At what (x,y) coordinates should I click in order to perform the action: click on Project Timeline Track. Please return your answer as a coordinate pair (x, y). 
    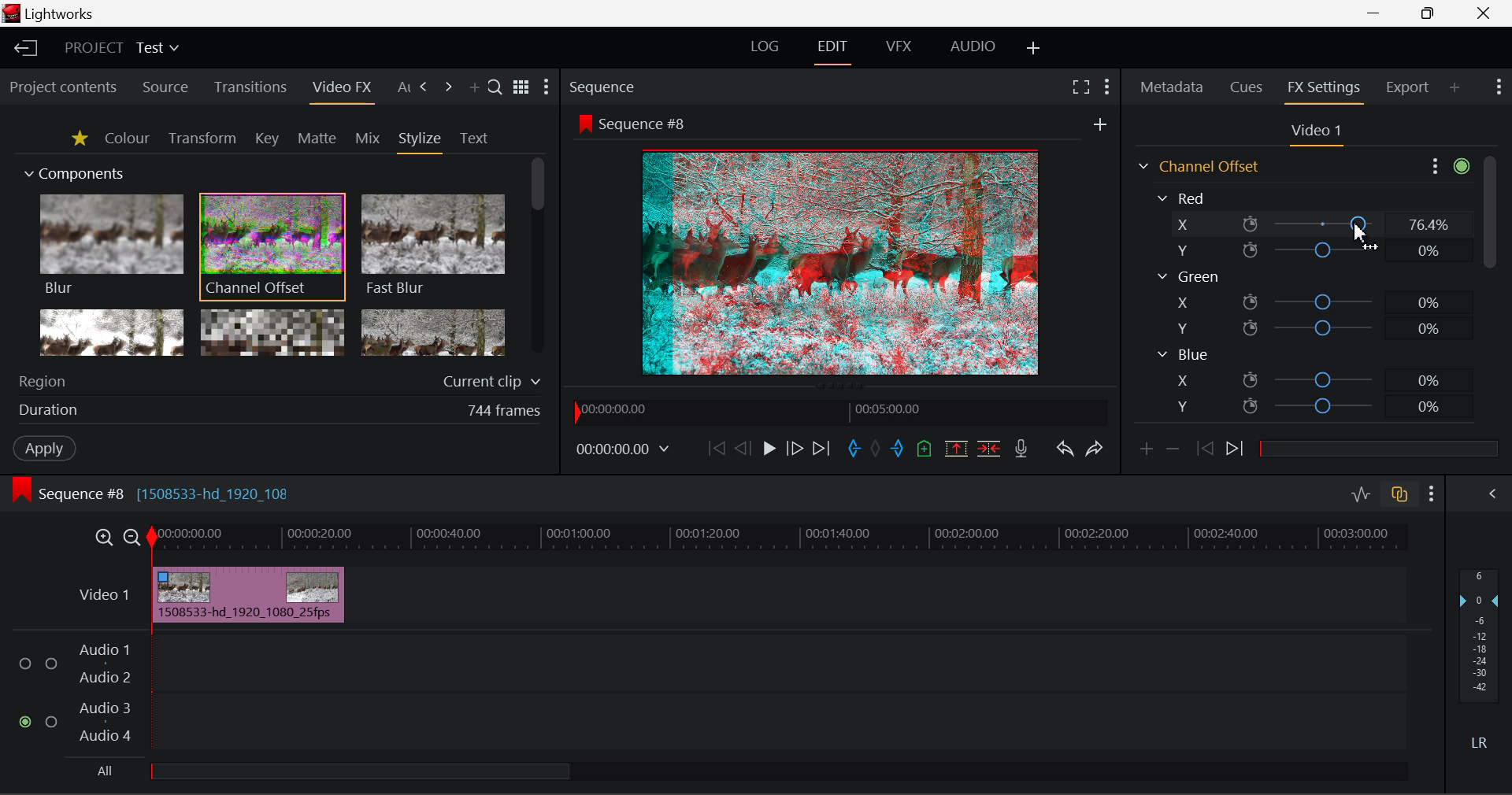
    Looking at the image, I should click on (780, 540).